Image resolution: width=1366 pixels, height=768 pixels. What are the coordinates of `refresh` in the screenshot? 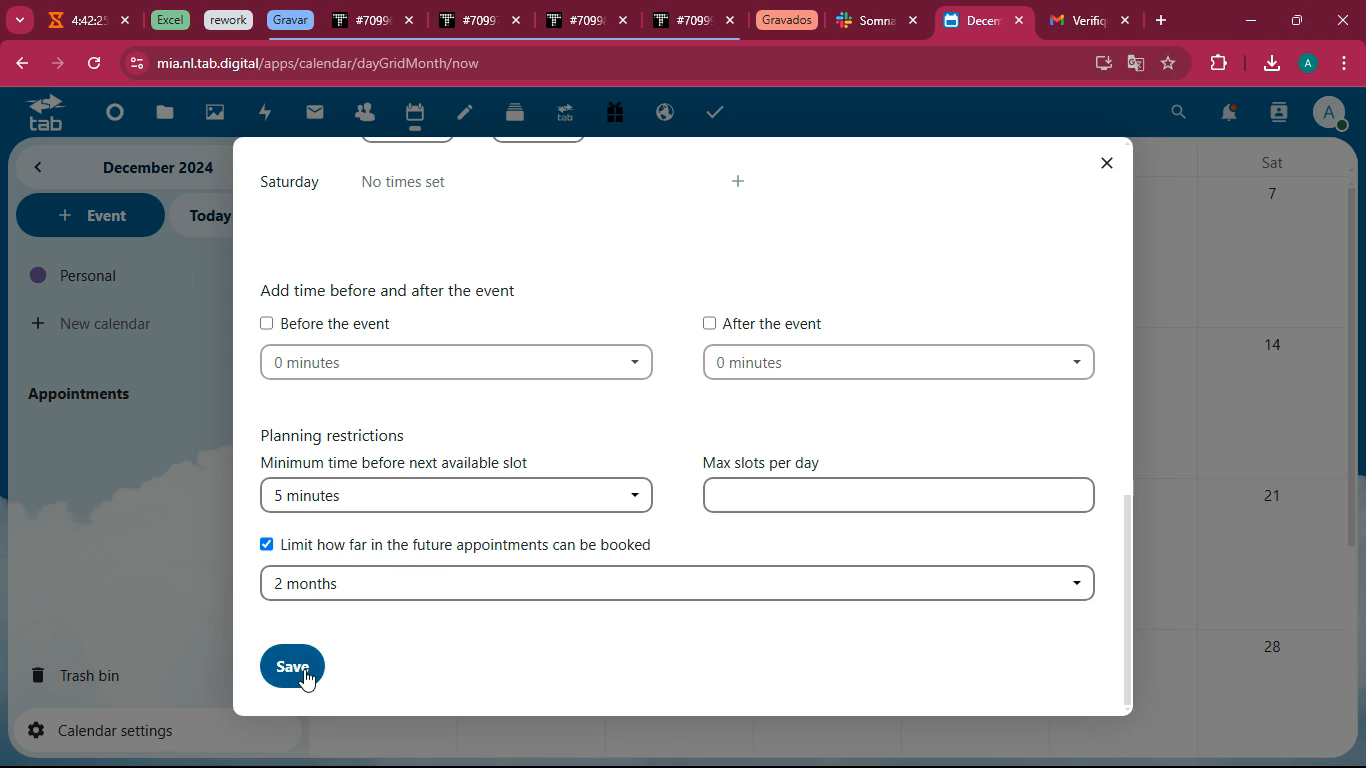 It's located at (94, 64).